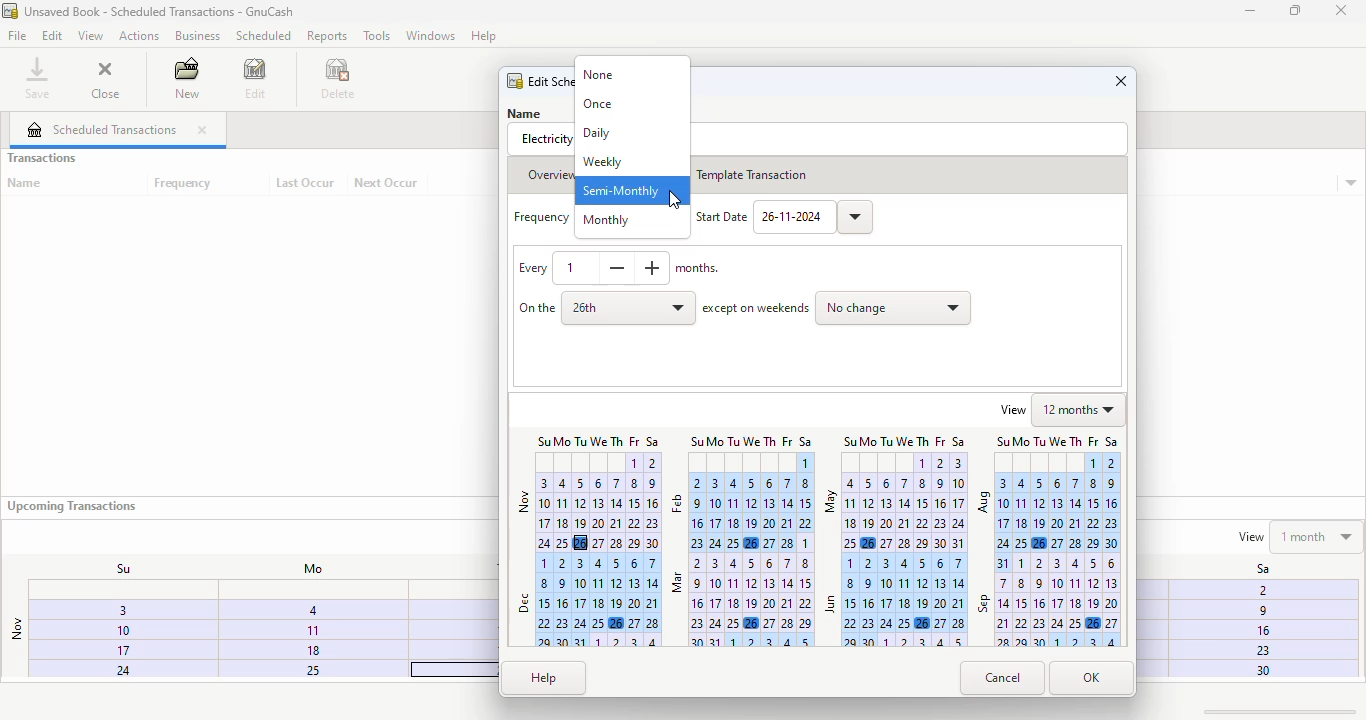  Describe the element at coordinates (71, 506) in the screenshot. I see `upcoming transactions` at that location.